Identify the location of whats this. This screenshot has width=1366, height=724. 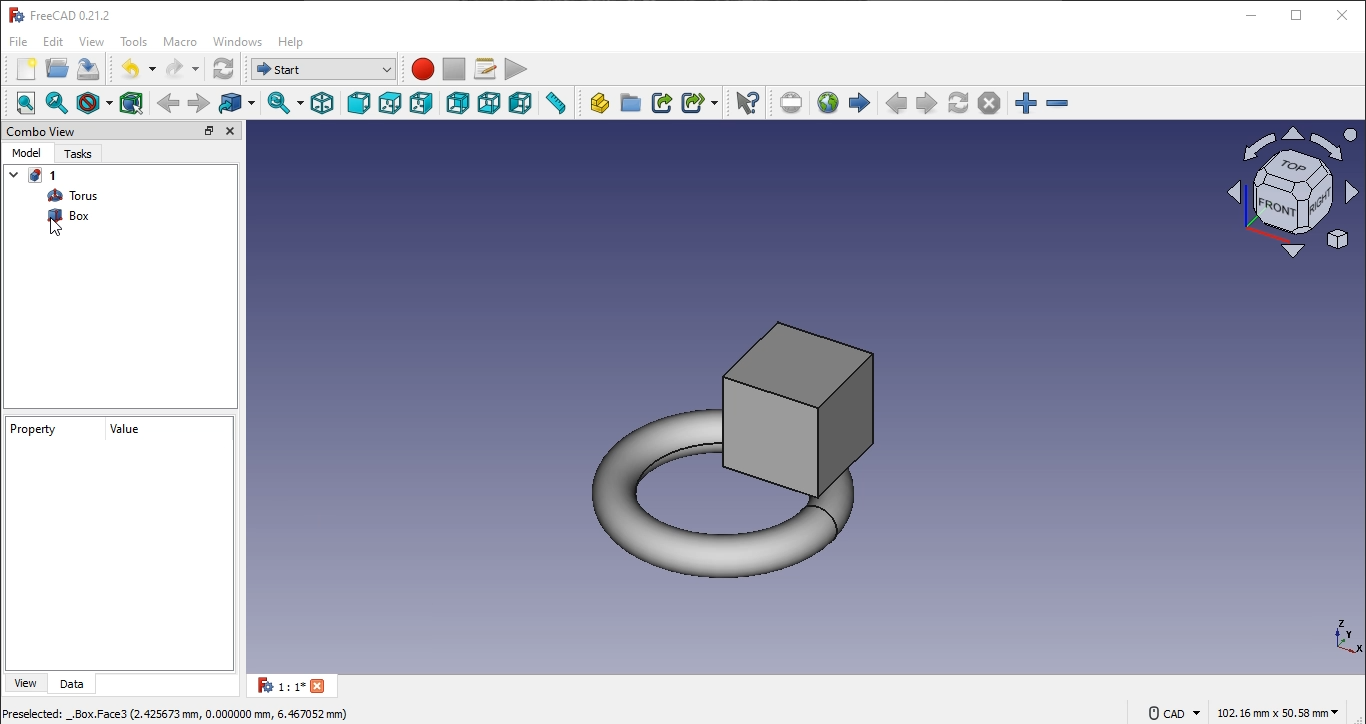
(747, 101).